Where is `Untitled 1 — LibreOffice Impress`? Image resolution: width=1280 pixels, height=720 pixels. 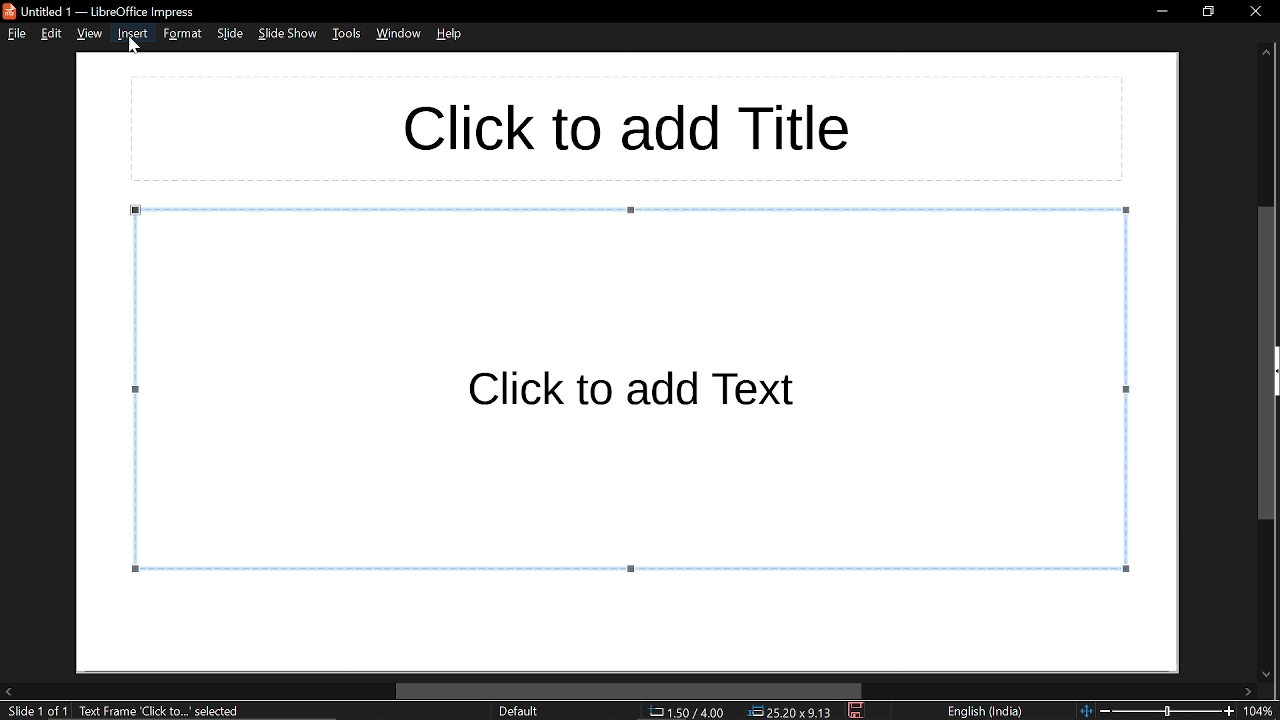
Untitled 1 — LibreOffice Impress is located at coordinates (108, 10).